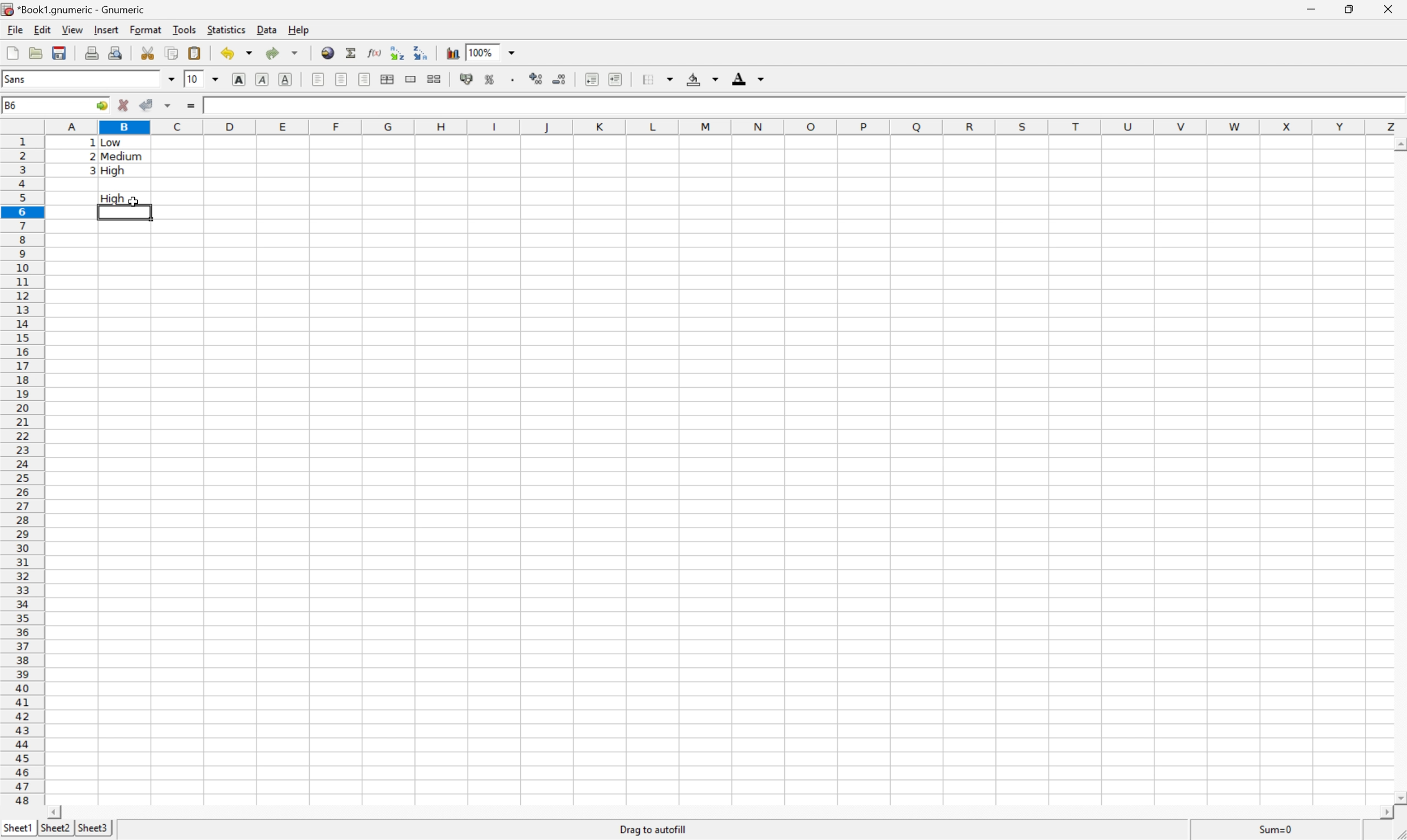 The image size is (1407, 840). What do you see at coordinates (365, 80) in the screenshot?
I see `Align Right` at bounding box center [365, 80].